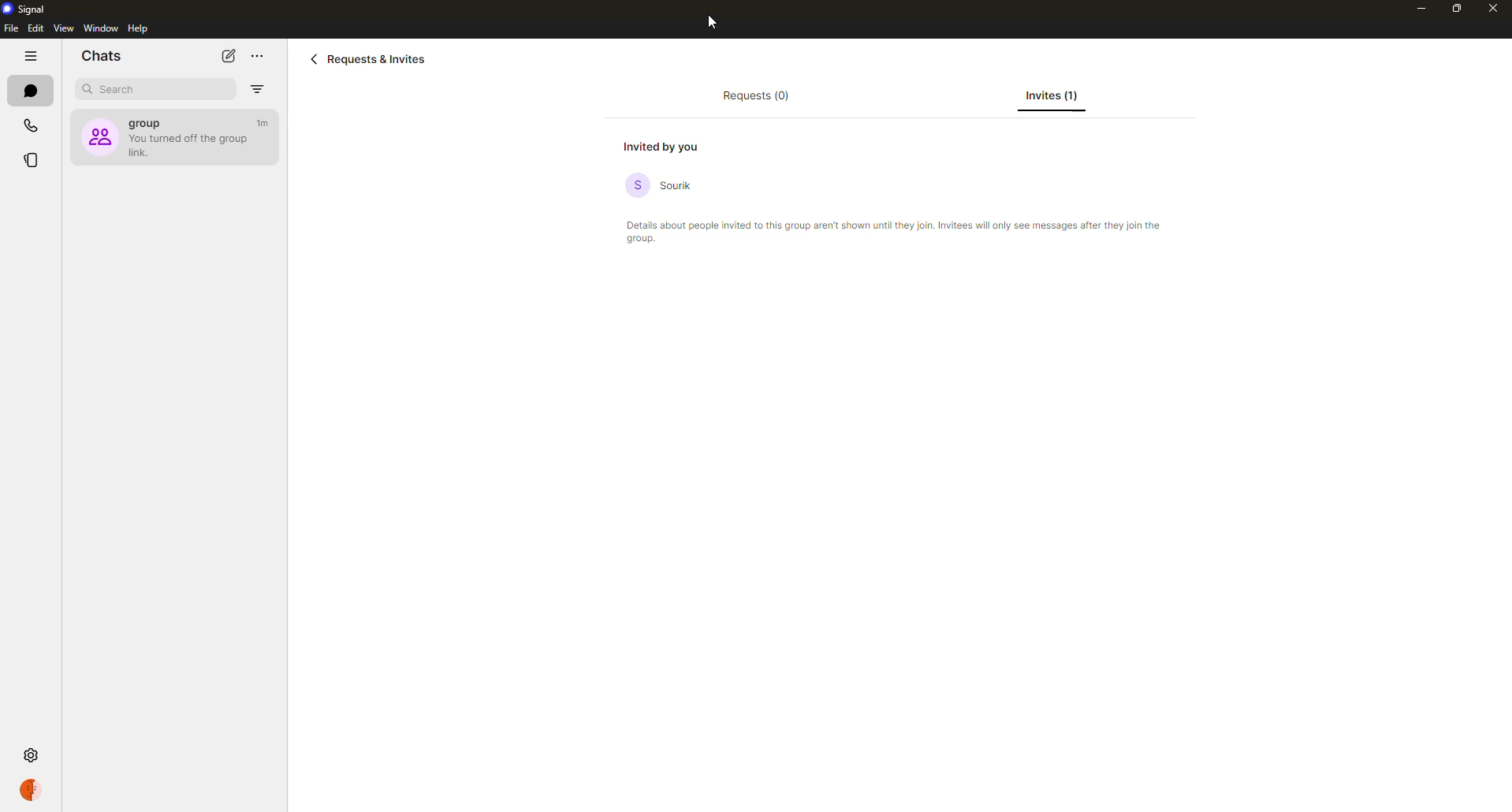  What do you see at coordinates (64, 29) in the screenshot?
I see `view` at bounding box center [64, 29].